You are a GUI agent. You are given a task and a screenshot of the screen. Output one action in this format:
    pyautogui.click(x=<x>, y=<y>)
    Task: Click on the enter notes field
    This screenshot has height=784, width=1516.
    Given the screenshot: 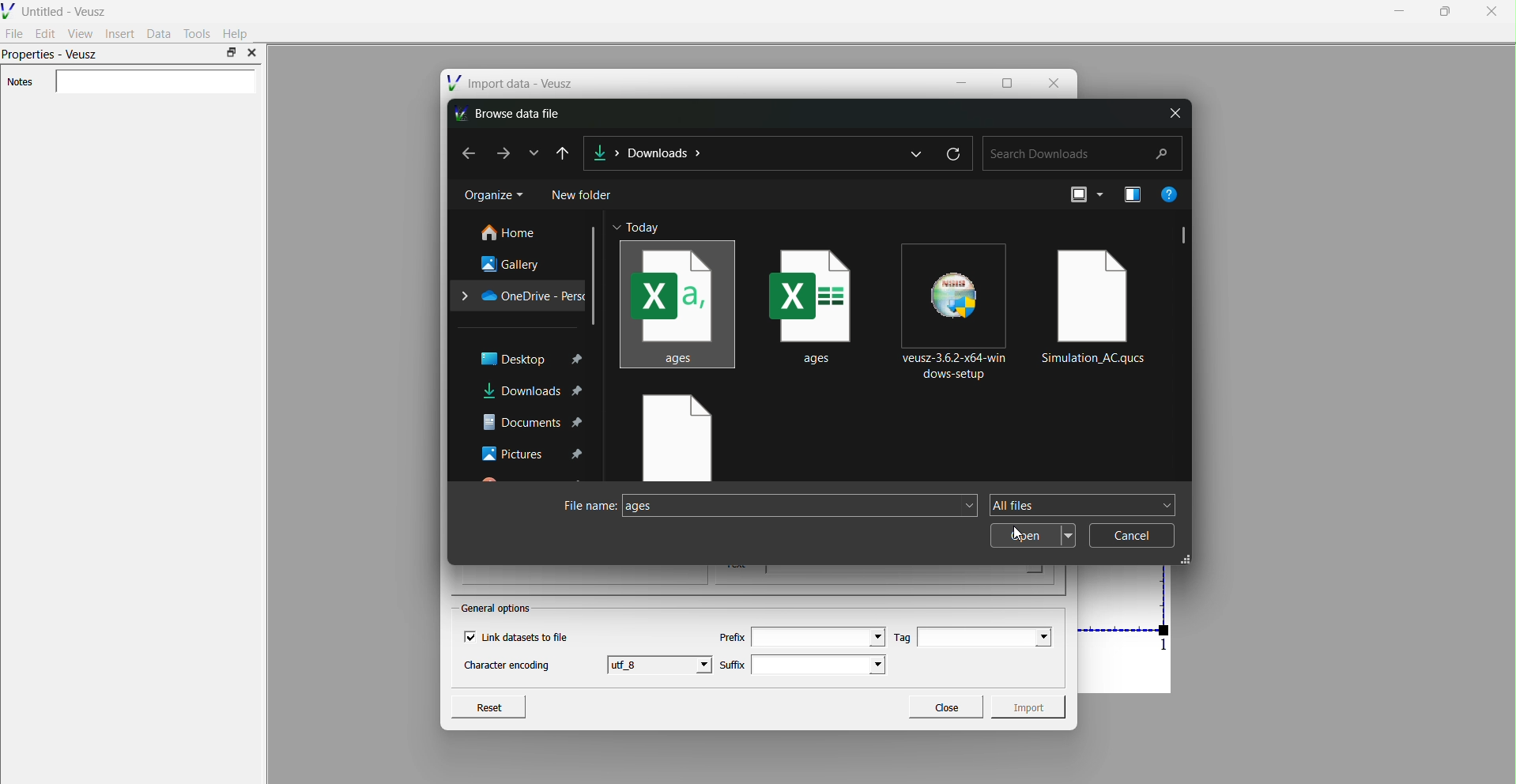 What is the action you would take?
    pyautogui.click(x=155, y=82)
    